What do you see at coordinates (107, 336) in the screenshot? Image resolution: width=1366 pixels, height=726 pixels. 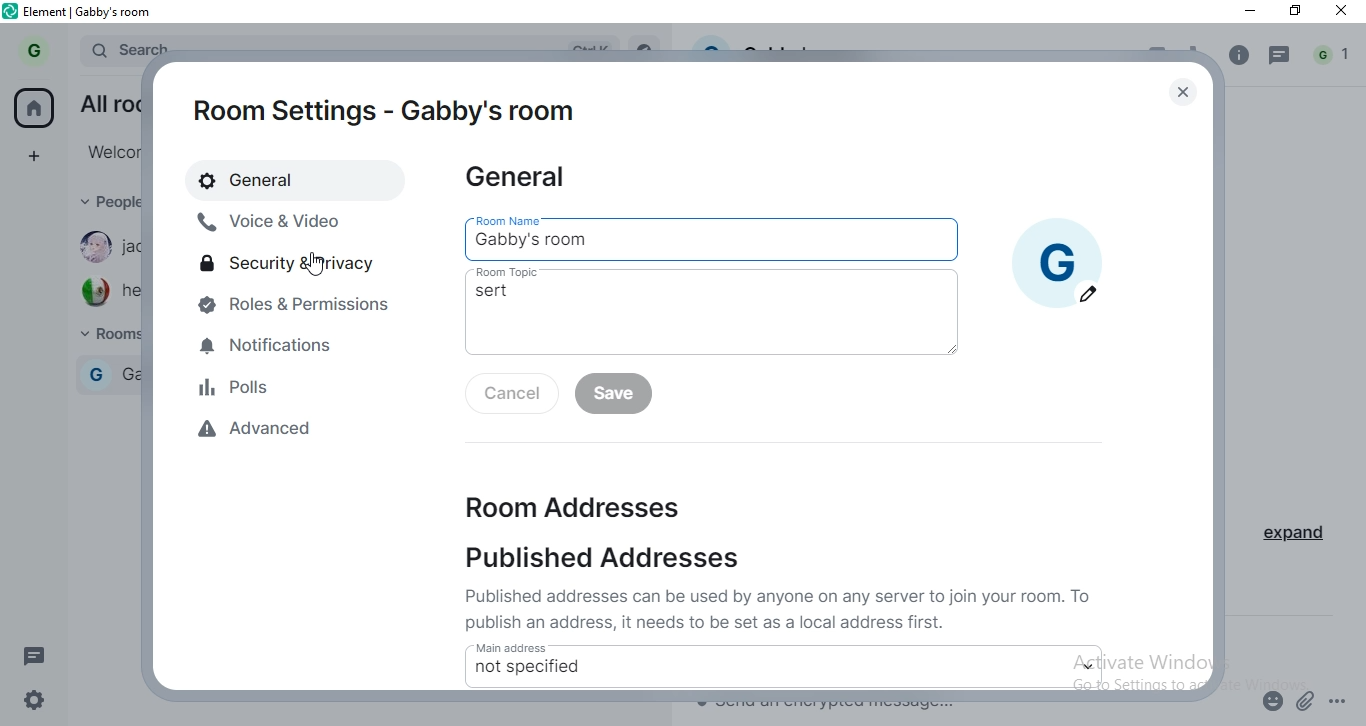 I see `rooms` at bounding box center [107, 336].